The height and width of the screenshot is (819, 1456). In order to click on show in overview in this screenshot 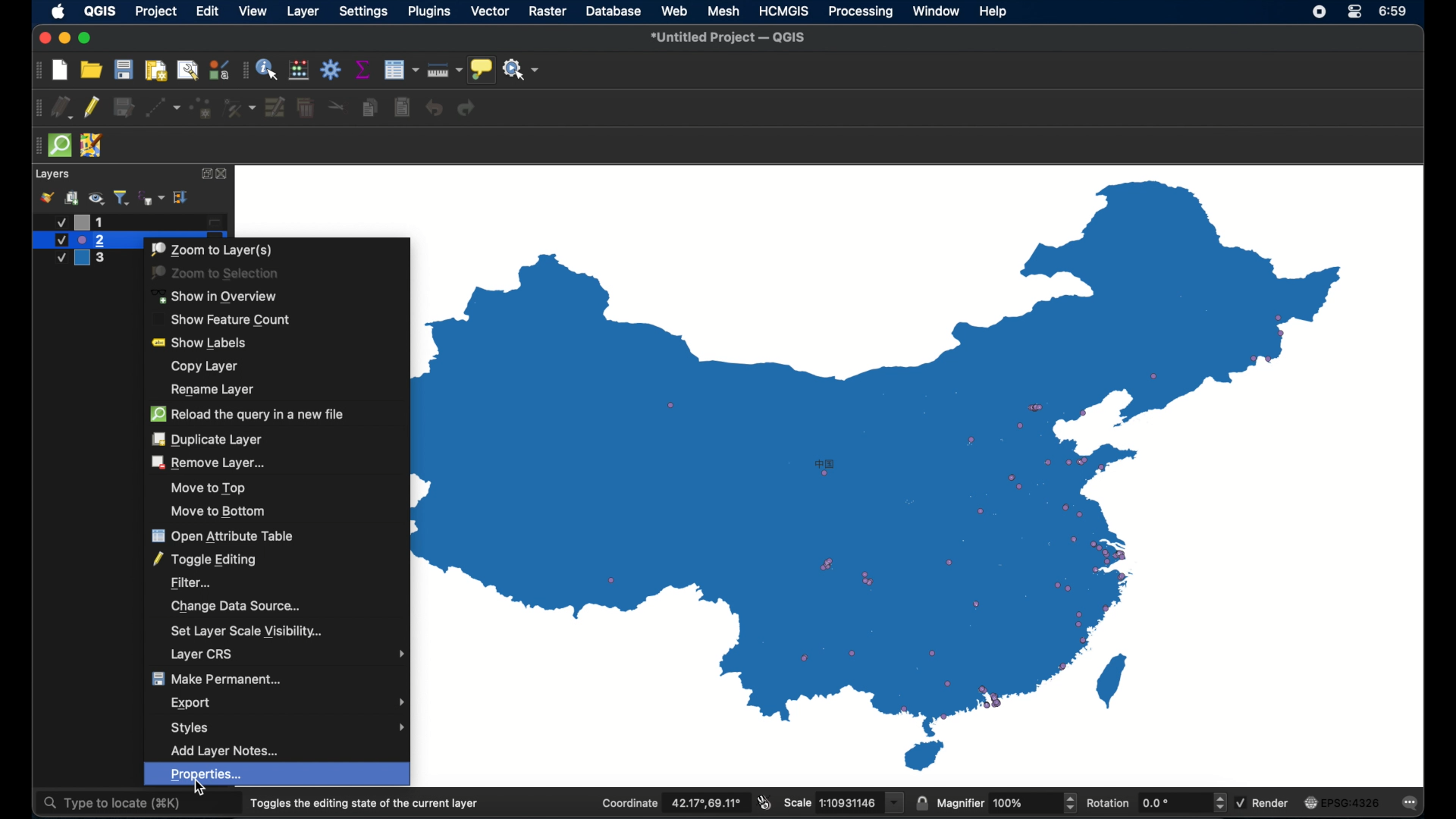, I will do `click(214, 297)`.